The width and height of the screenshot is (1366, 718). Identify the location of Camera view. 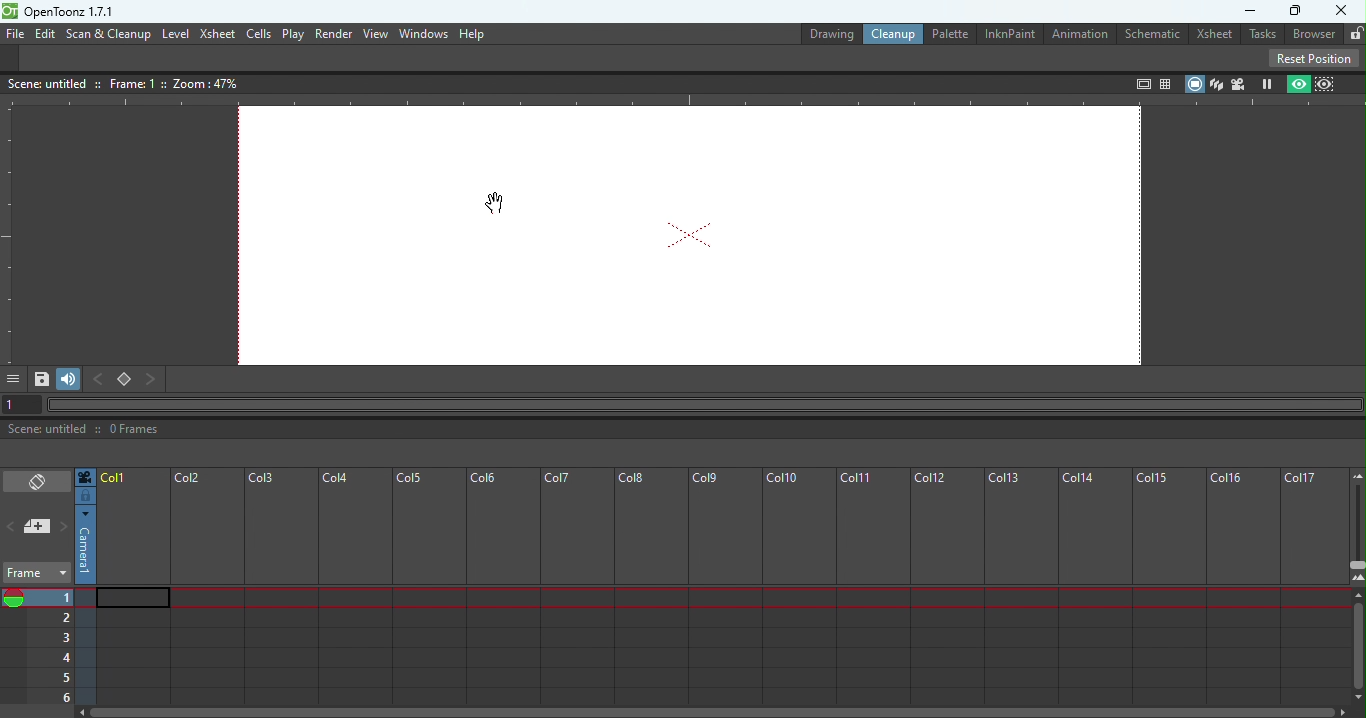
(1238, 83).